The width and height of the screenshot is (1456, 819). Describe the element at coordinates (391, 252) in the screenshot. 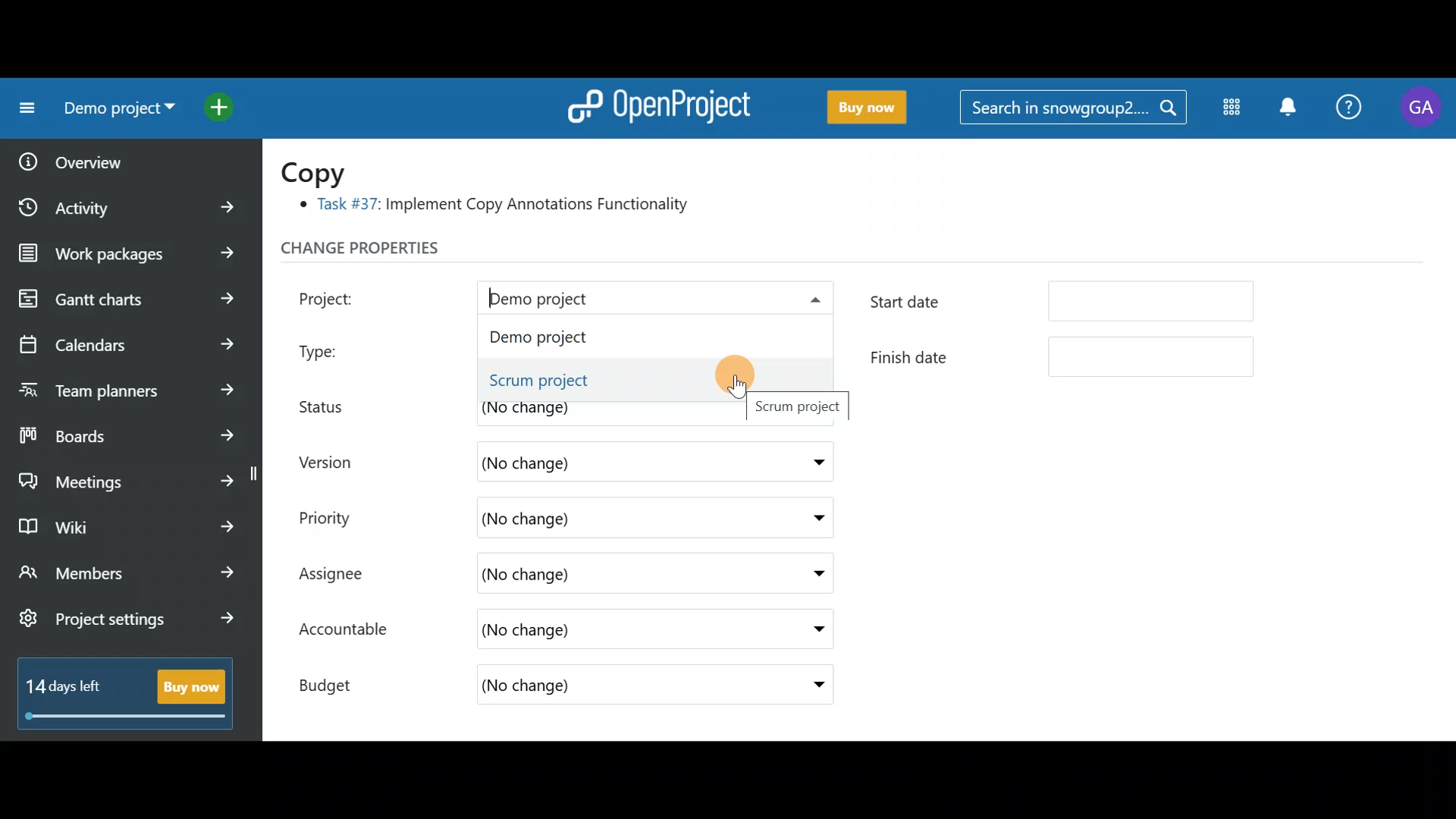

I see `Change properties` at that location.